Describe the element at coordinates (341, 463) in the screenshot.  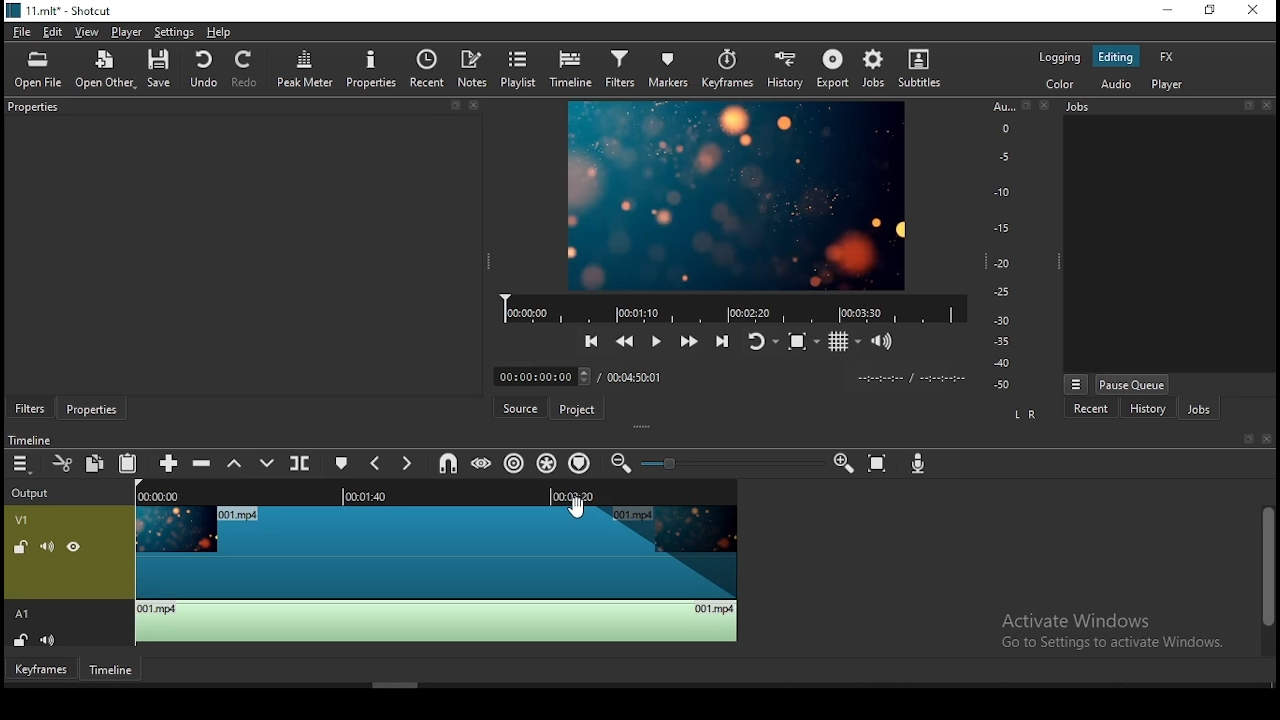
I see `create/edit marker` at that location.